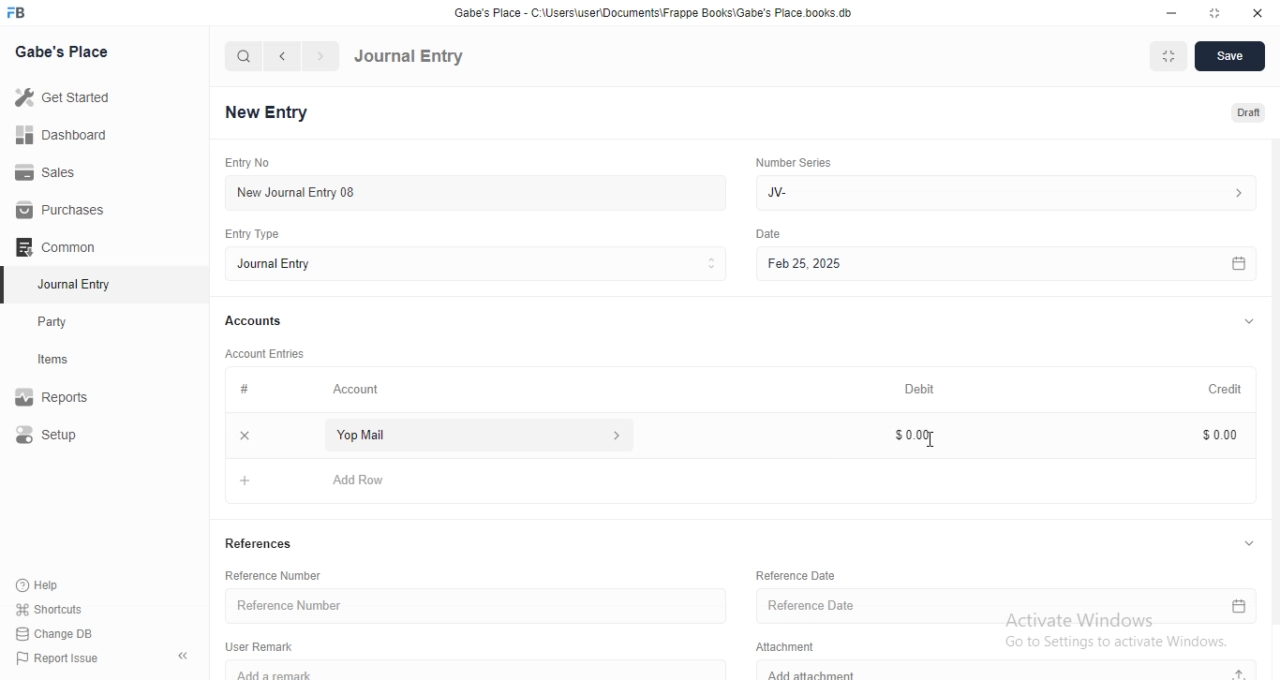 The image size is (1280, 680). I want to click on $0.00, so click(911, 435).